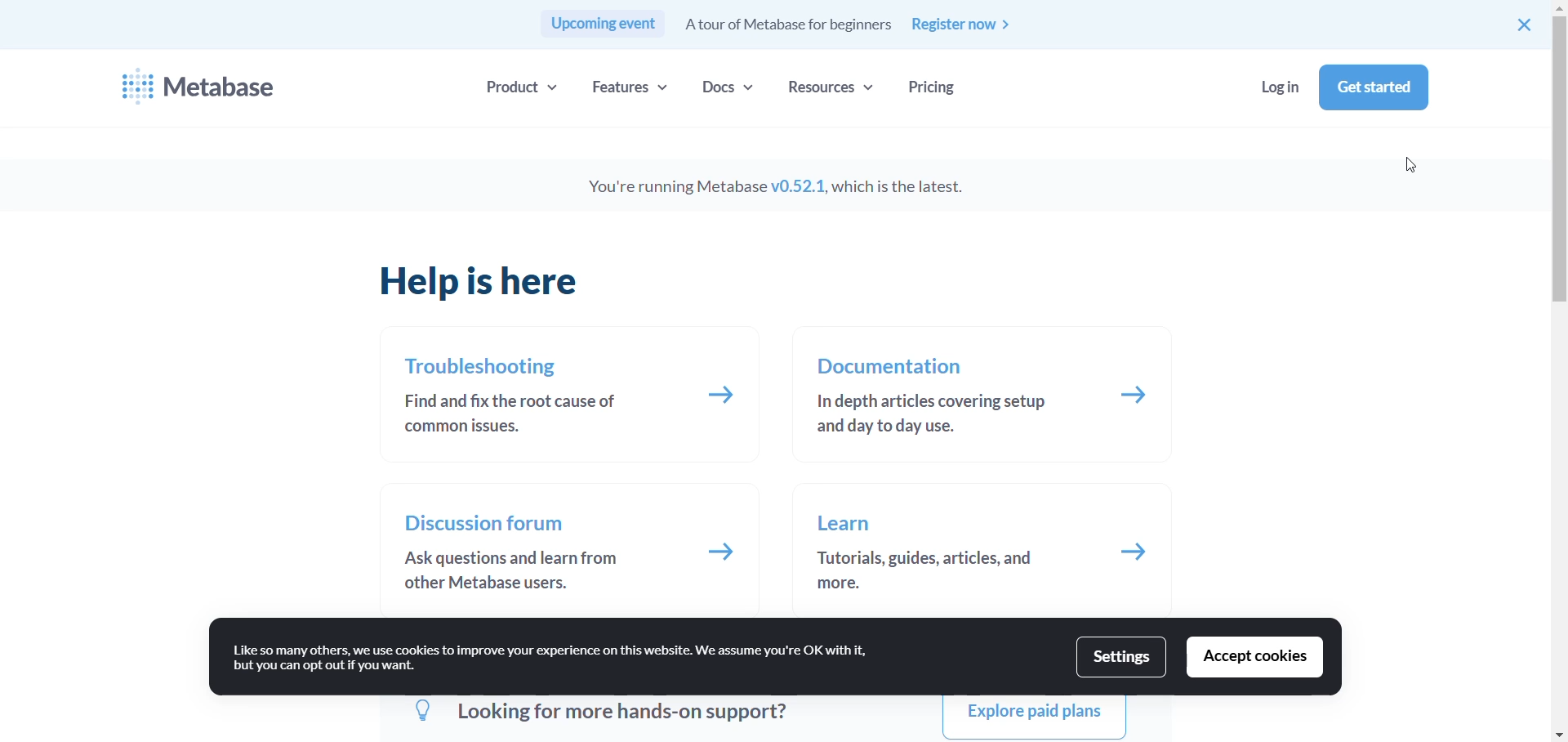 The height and width of the screenshot is (742, 1568). I want to click on discussion forum, so click(486, 524).